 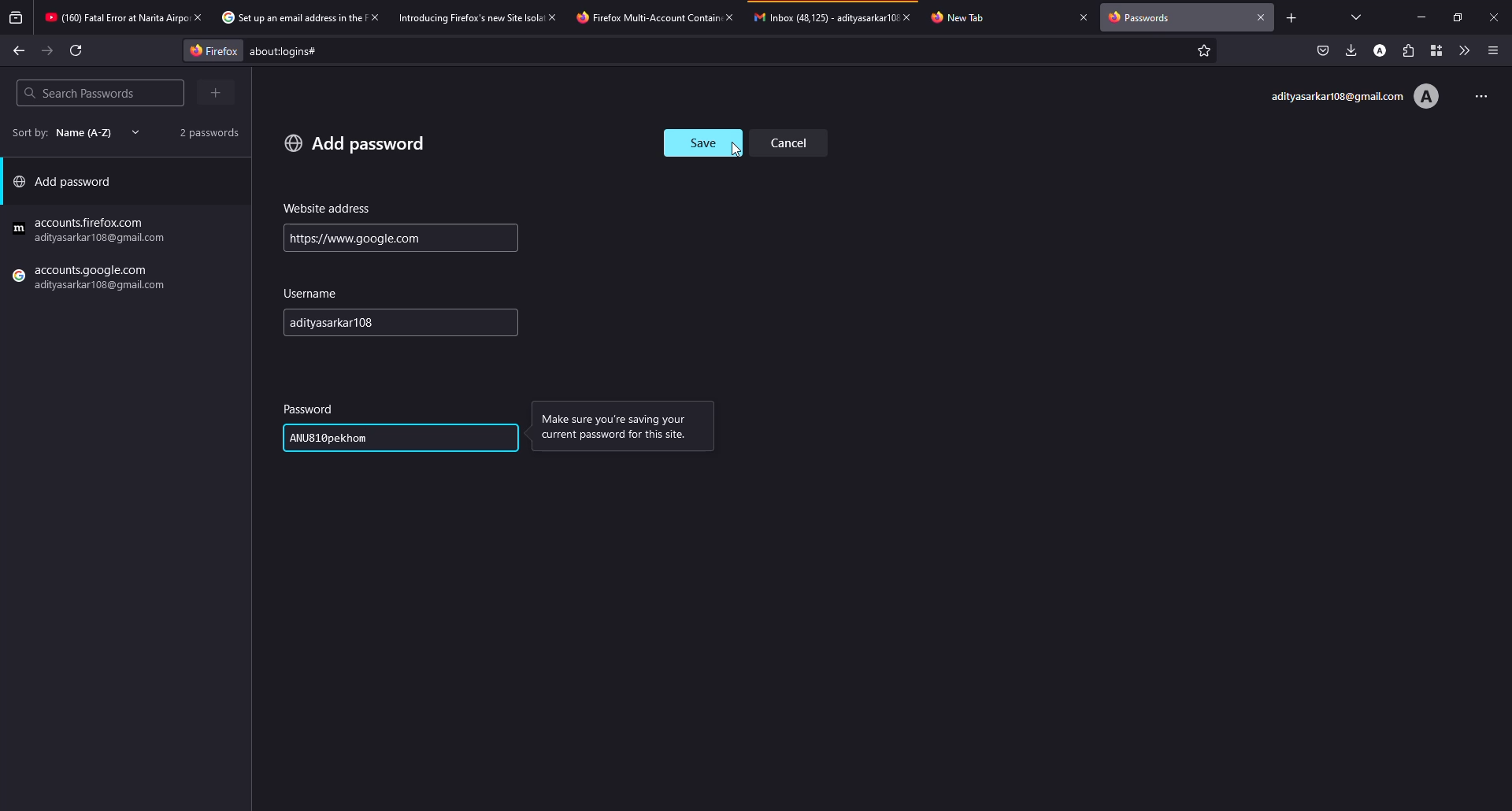 What do you see at coordinates (1291, 17) in the screenshot?
I see `add tab` at bounding box center [1291, 17].